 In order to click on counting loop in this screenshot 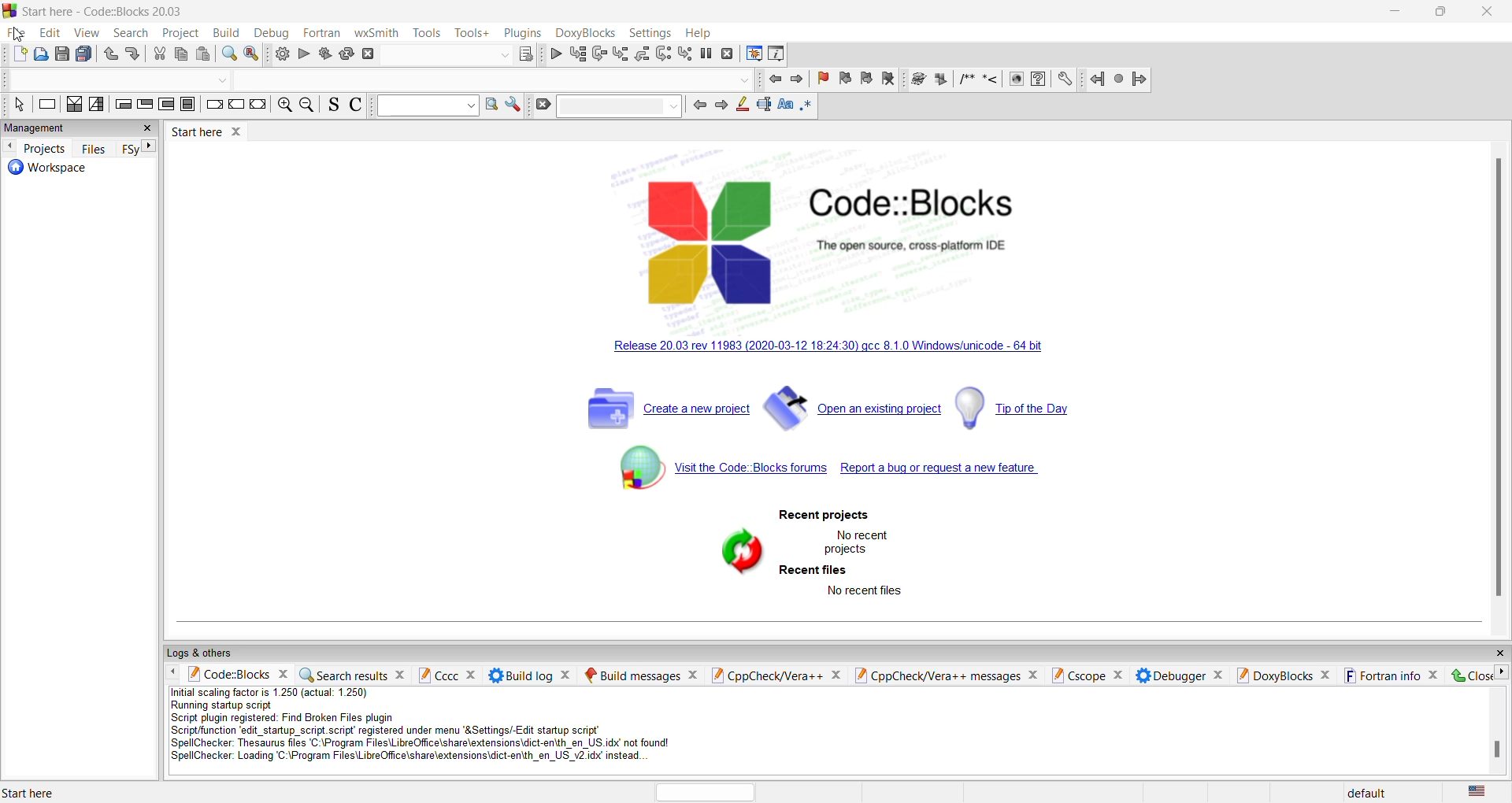, I will do `click(168, 105)`.